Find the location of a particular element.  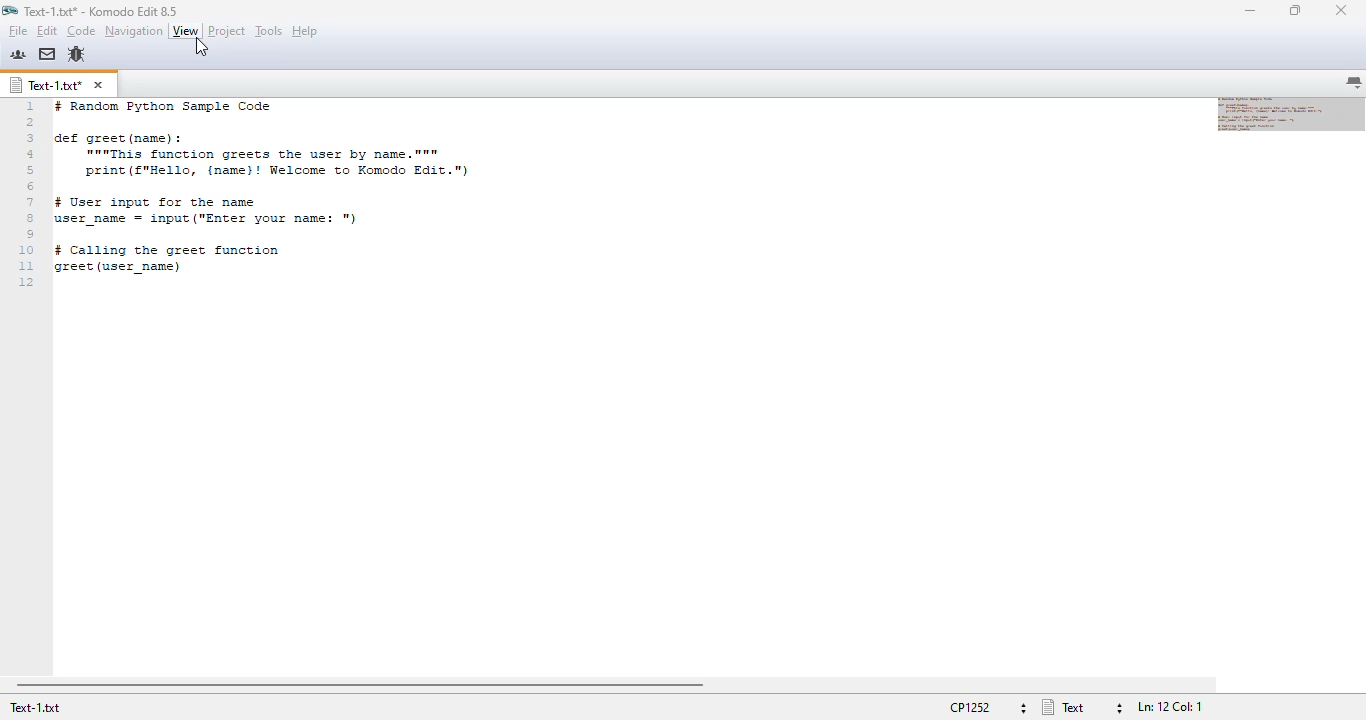

help is located at coordinates (306, 31).